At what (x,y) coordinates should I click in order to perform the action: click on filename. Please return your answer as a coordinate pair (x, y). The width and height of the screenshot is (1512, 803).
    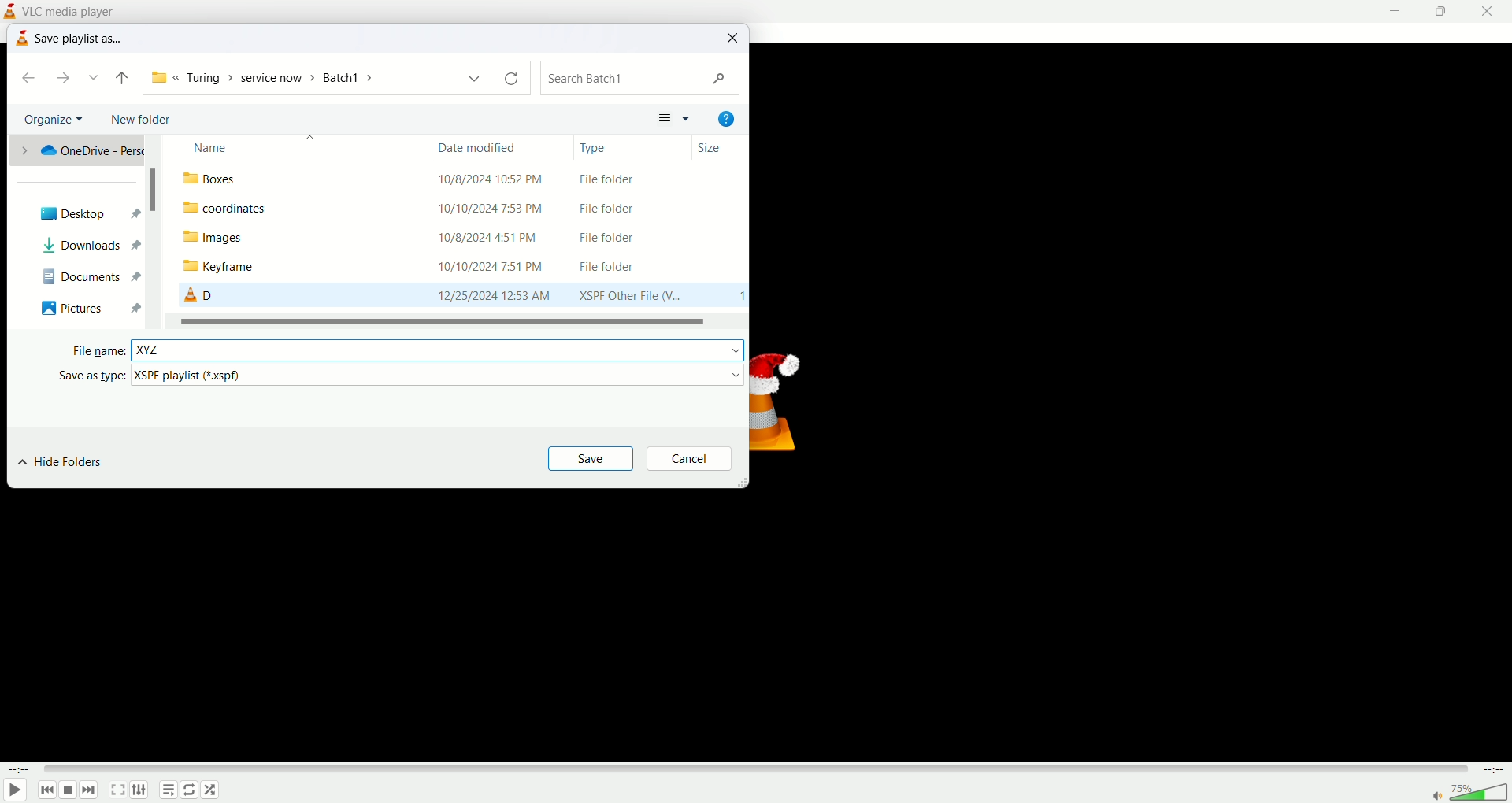
    Looking at the image, I should click on (186, 350).